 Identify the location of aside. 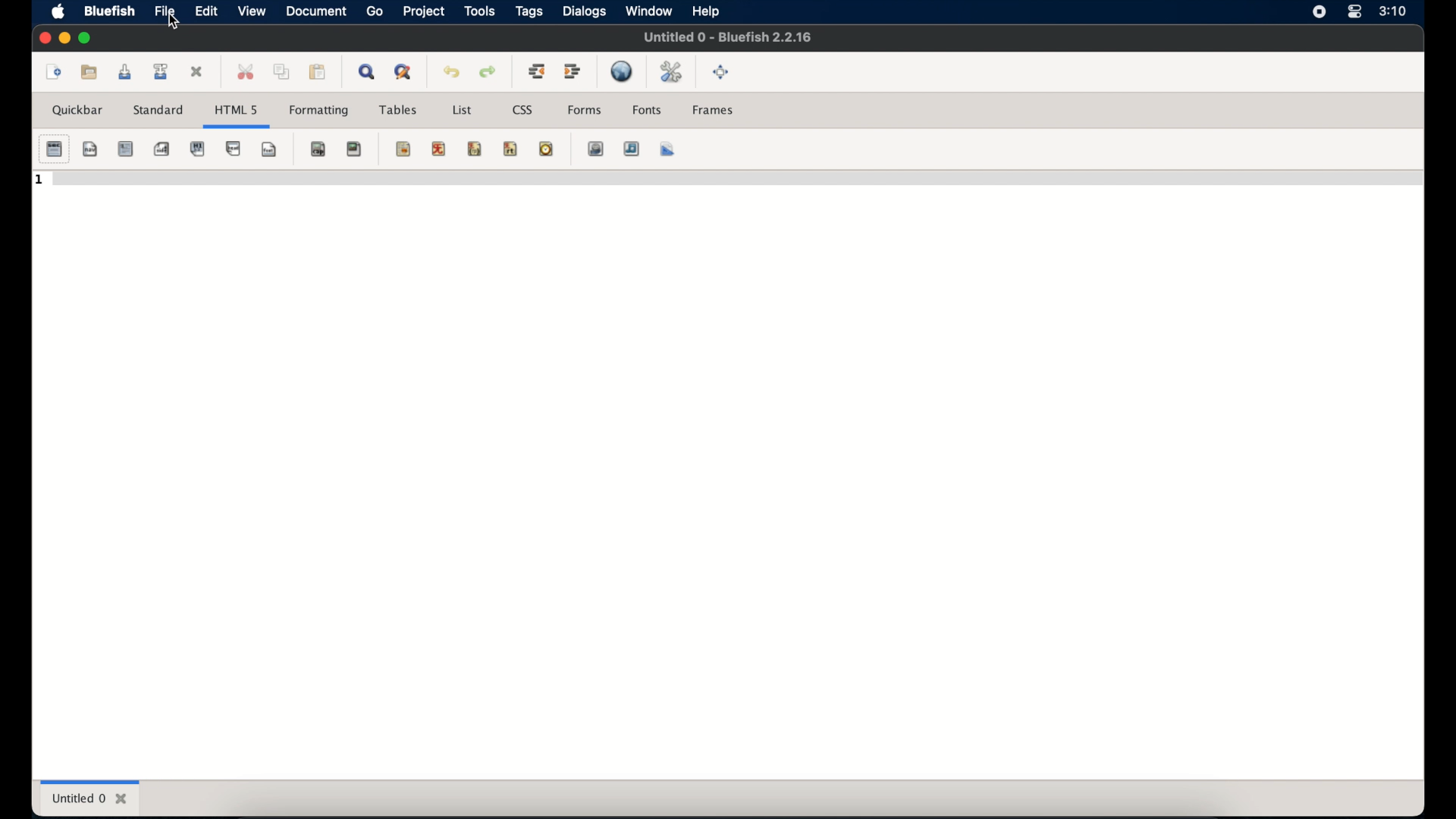
(162, 149).